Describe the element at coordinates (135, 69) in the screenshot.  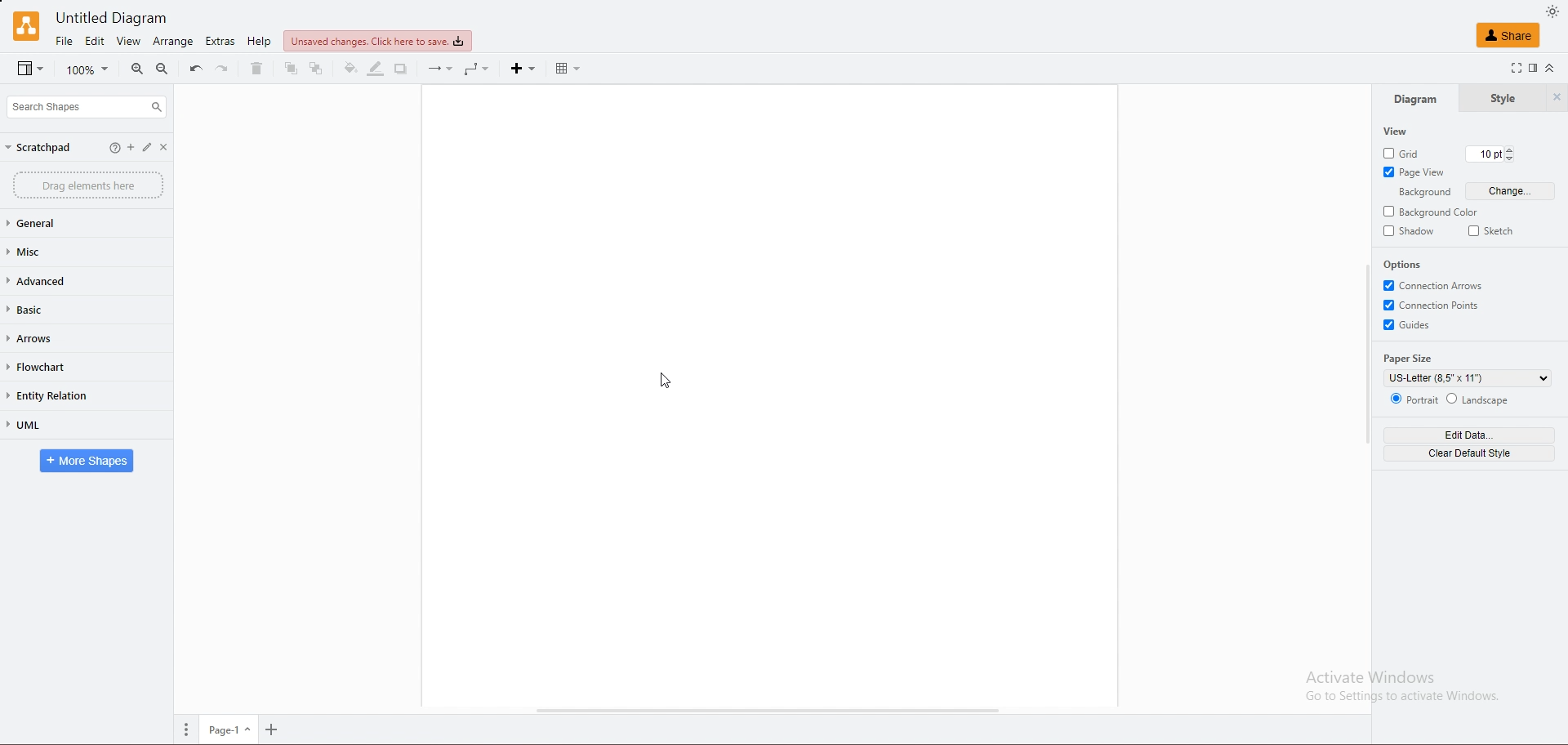
I see `zoom in` at that location.